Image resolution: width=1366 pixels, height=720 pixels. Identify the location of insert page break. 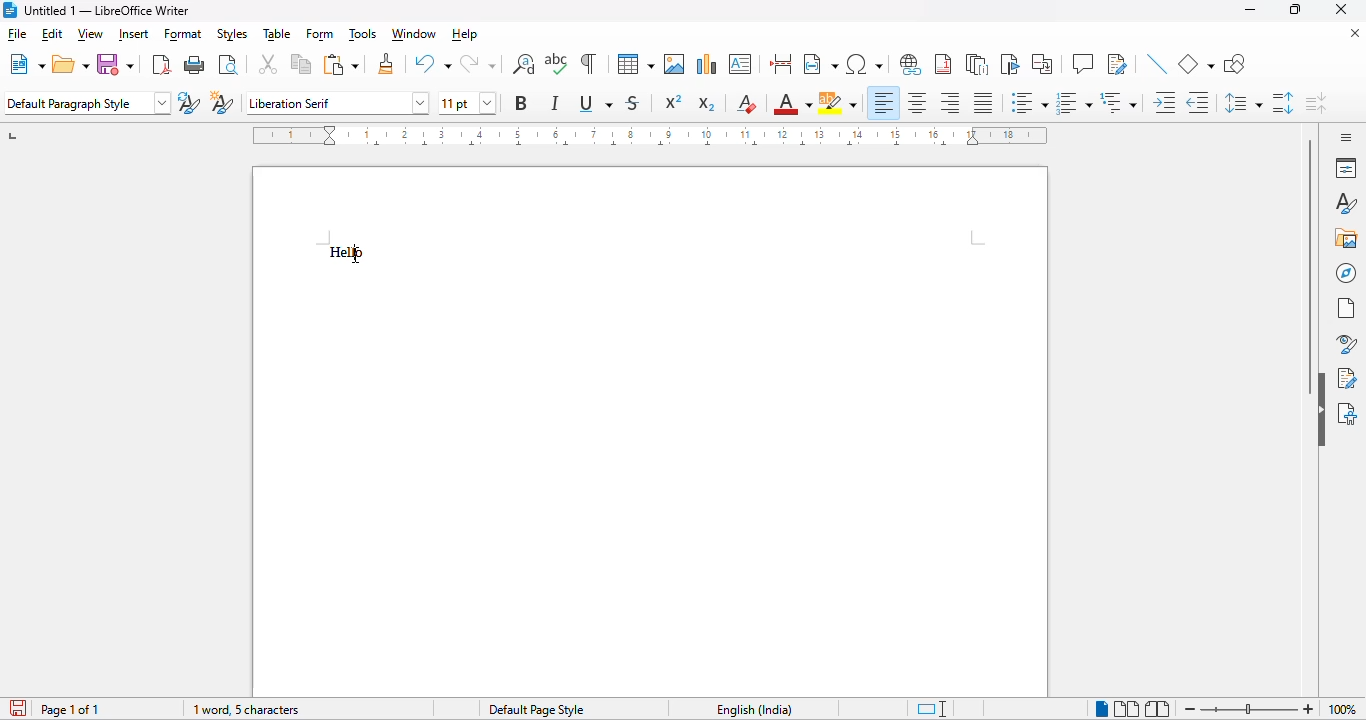
(782, 64).